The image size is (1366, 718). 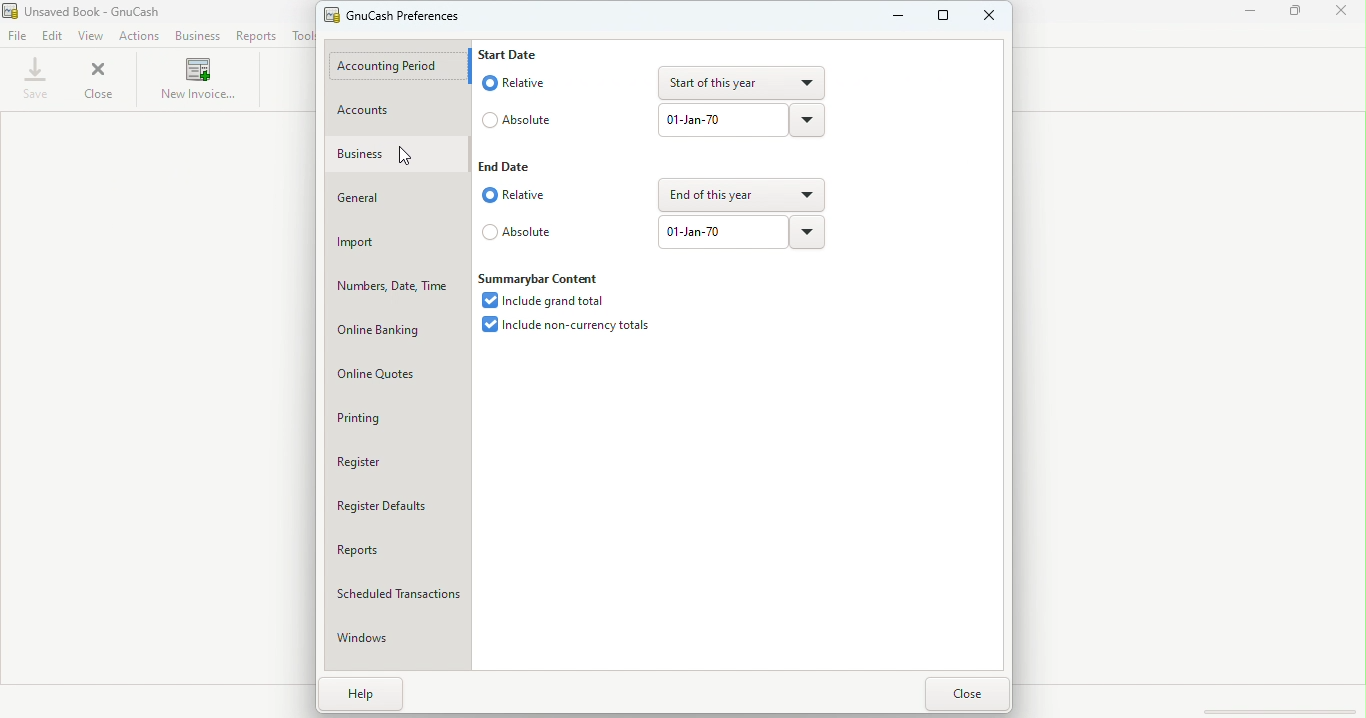 I want to click on Include non-currency total, so click(x=567, y=325).